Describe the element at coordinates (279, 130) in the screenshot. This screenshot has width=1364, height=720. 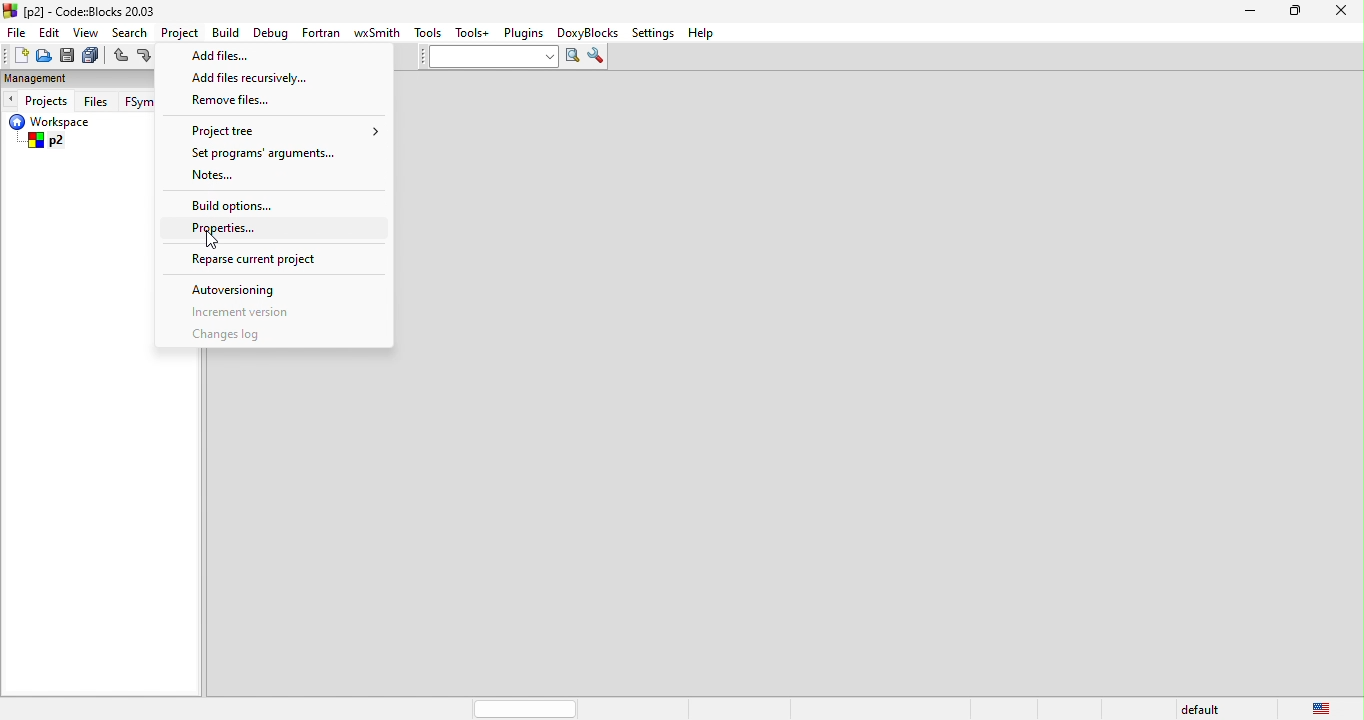
I see `project tree` at that location.